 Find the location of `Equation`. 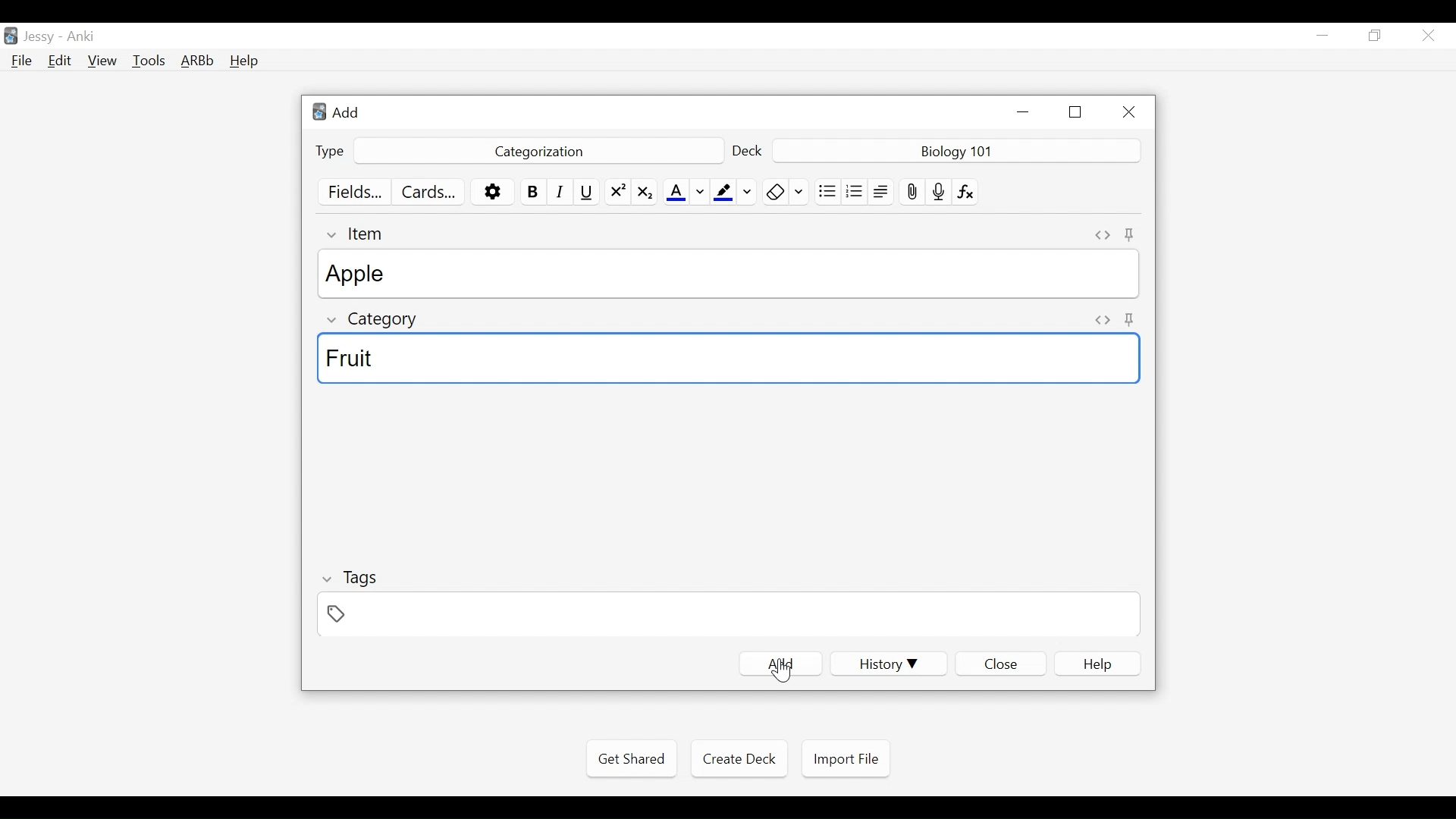

Equation is located at coordinates (967, 191).